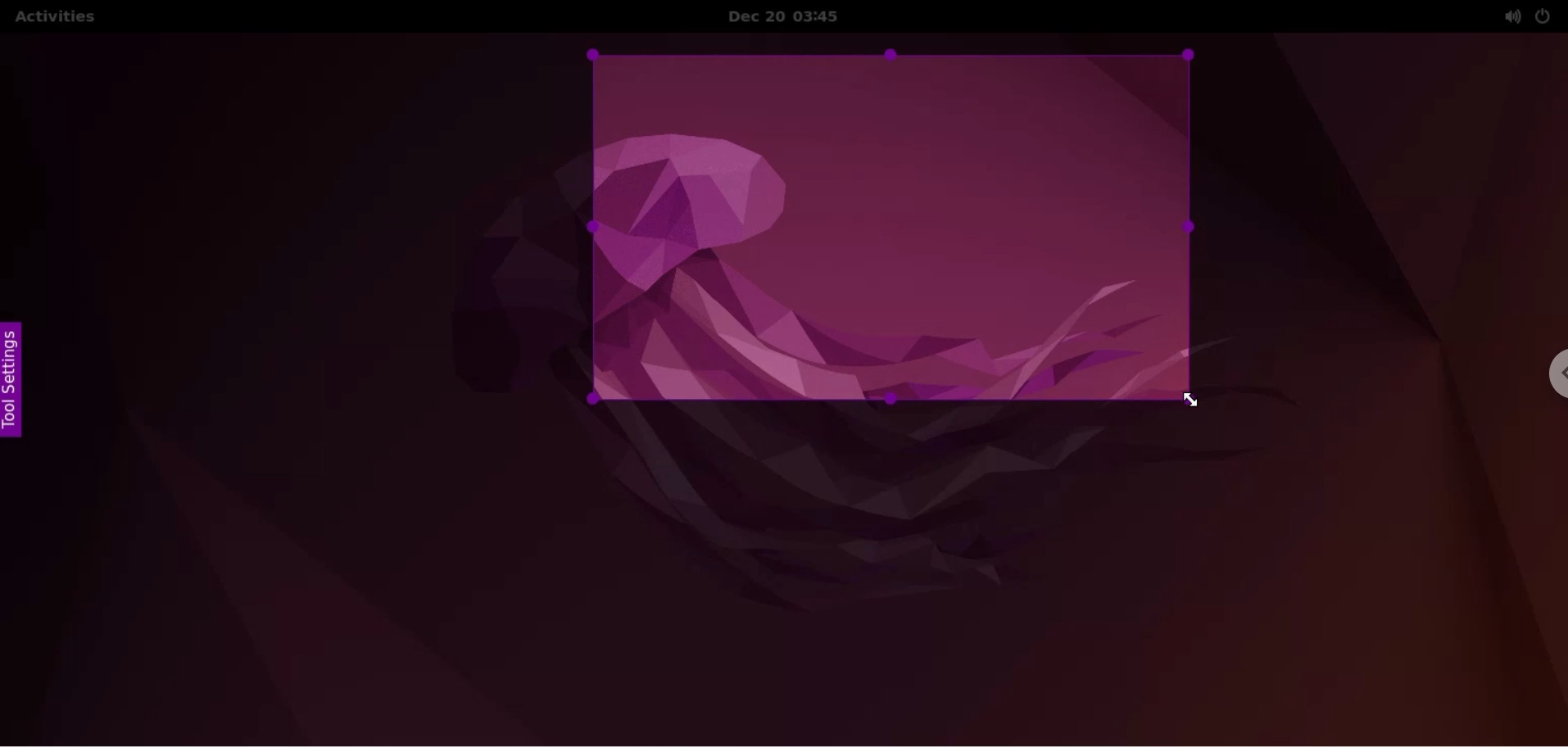 The width and height of the screenshot is (1568, 747). Describe the element at coordinates (1189, 401) in the screenshot. I see `cursor` at that location.